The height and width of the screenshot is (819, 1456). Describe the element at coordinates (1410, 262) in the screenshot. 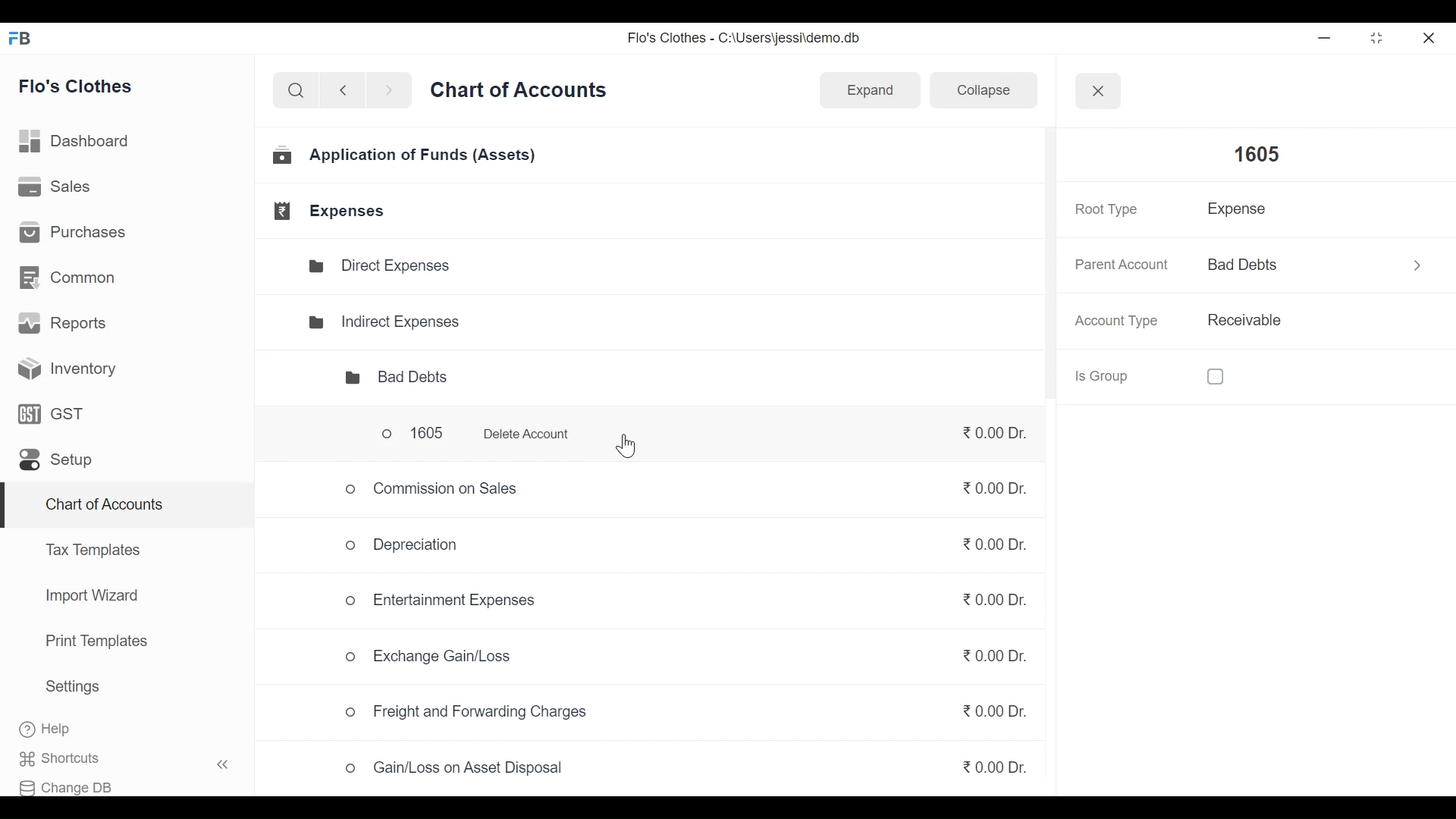

I see `More options` at that location.